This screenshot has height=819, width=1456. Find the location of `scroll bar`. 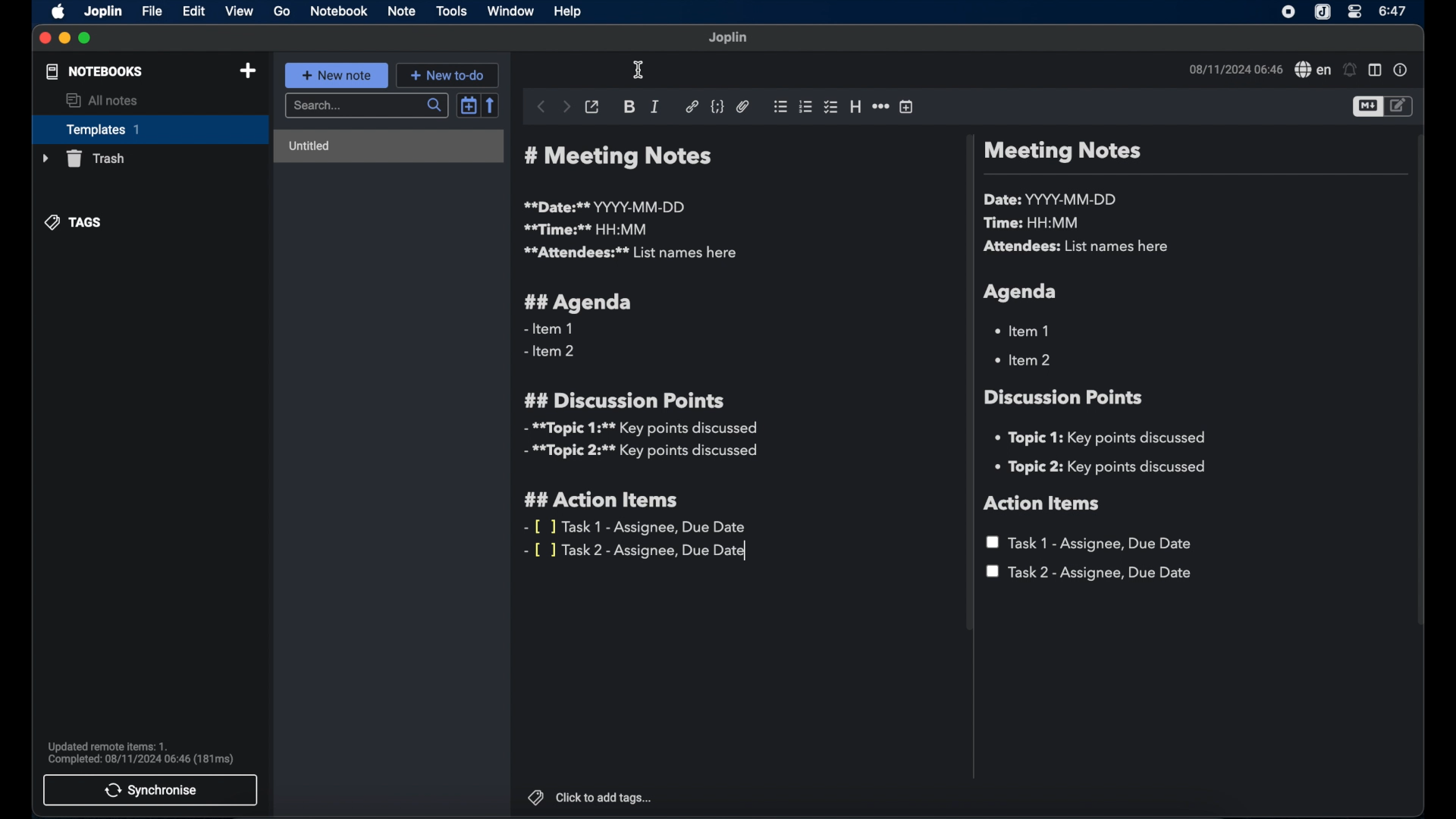

scroll bar is located at coordinates (1421, 390).